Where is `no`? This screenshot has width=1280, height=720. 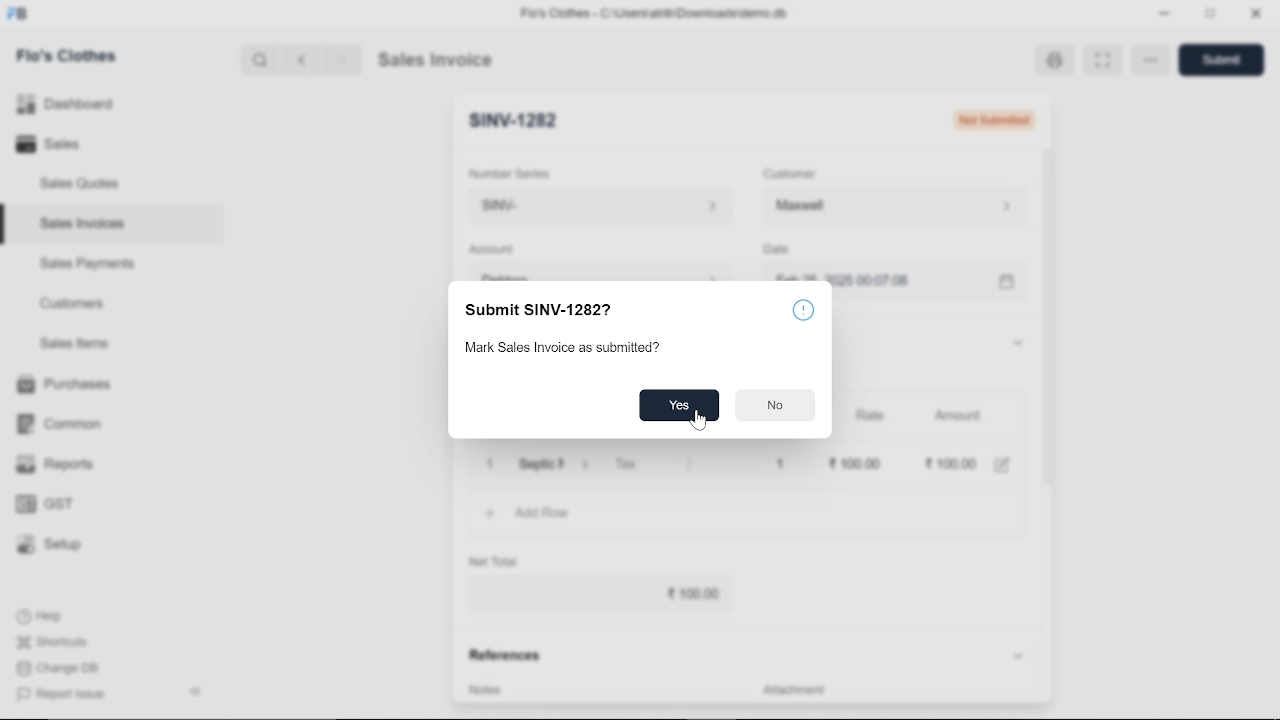
no is located at coordinates (774, 404).